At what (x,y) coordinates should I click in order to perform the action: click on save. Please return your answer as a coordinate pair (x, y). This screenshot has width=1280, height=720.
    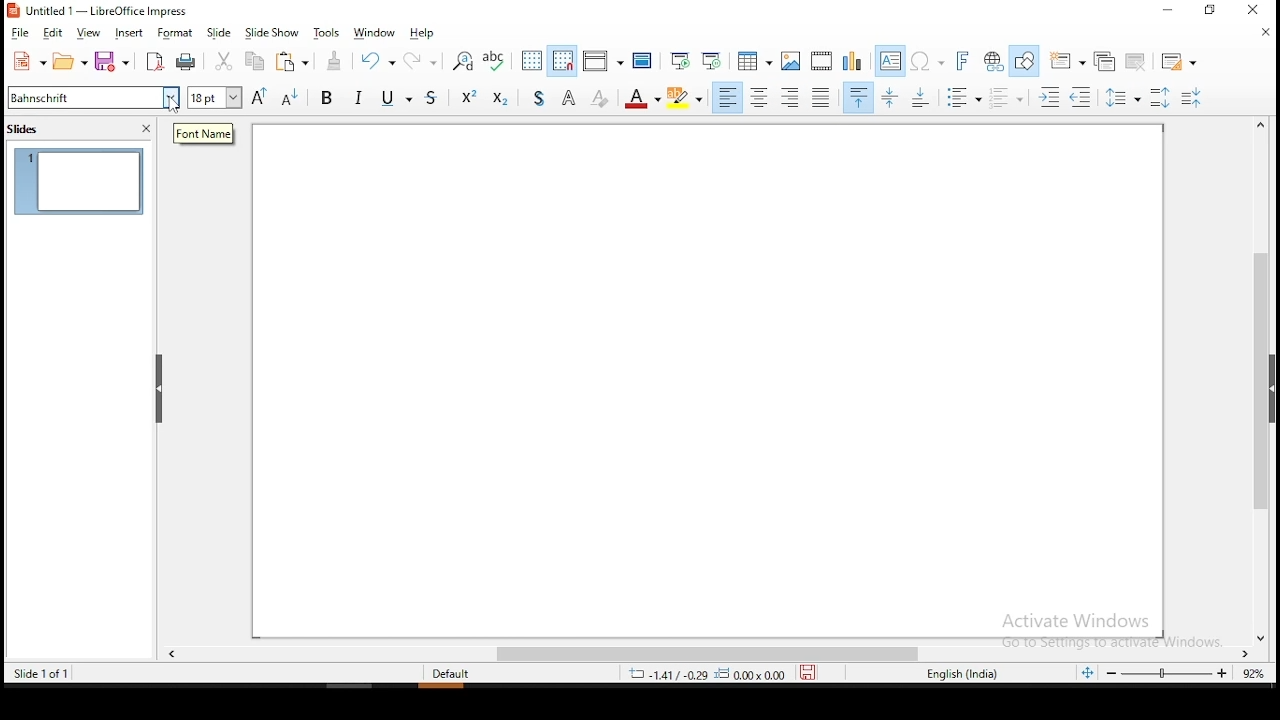
    Looking at the image, I should click on (113, 60).